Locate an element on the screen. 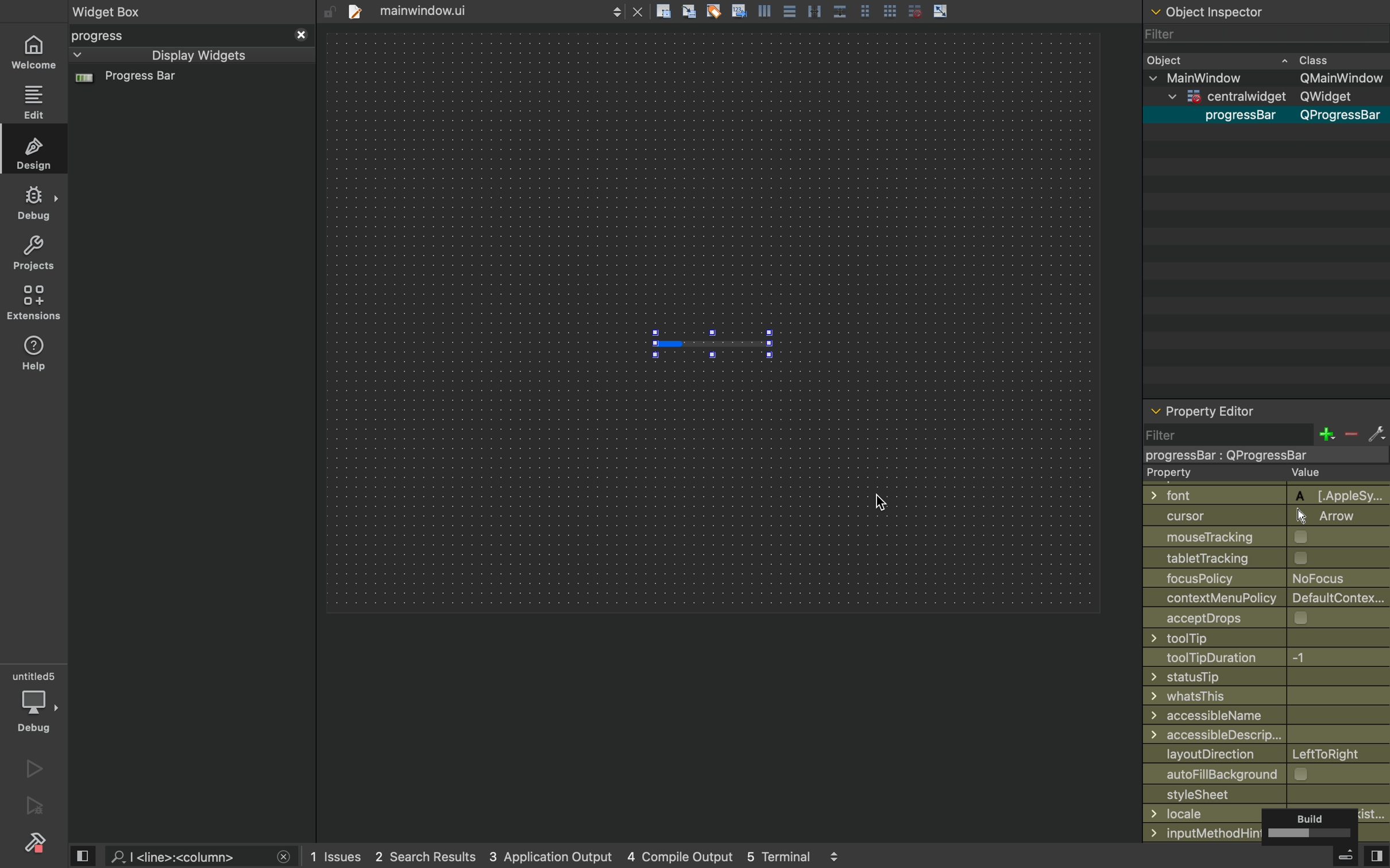 The image size is (1390, 868). autofillbackground is located at coordinates (1269, 774).